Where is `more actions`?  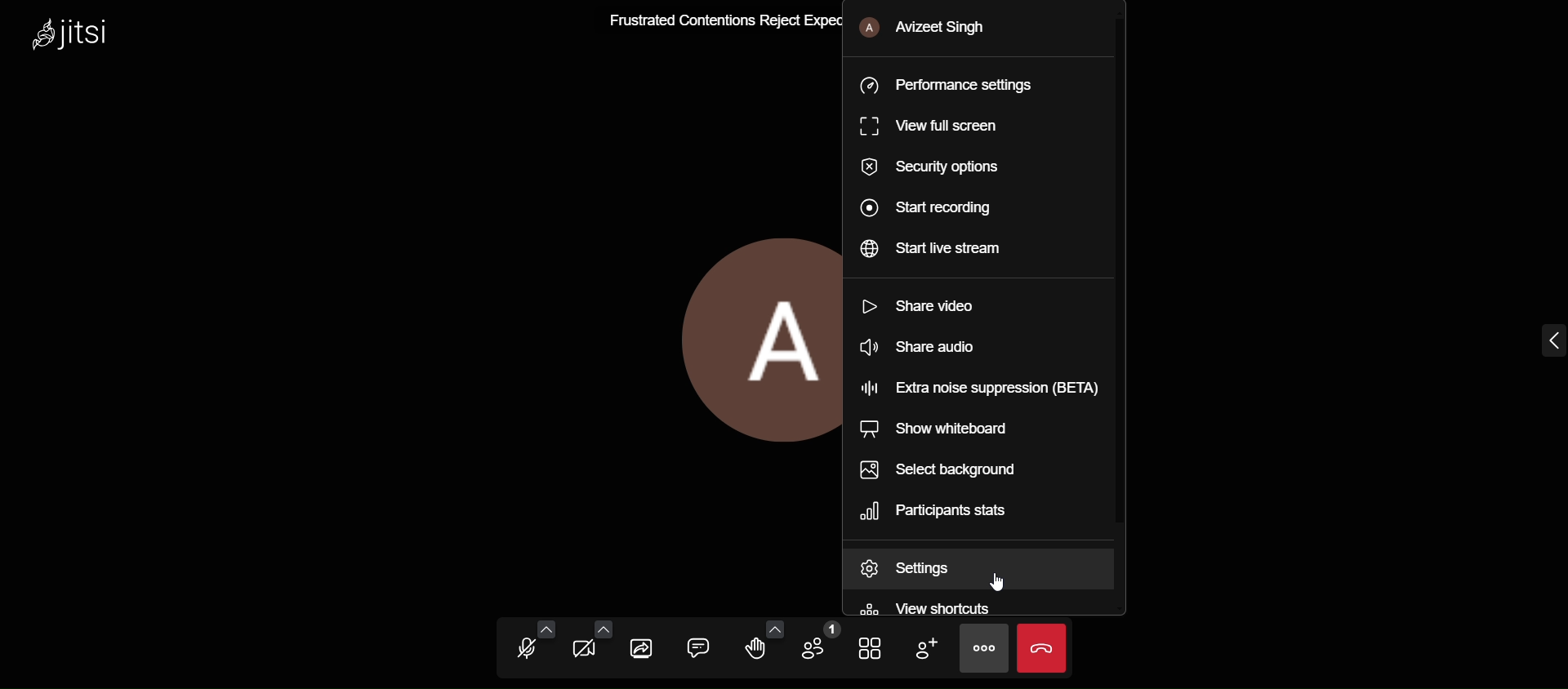 more actions is located at coordinates (981, 648).